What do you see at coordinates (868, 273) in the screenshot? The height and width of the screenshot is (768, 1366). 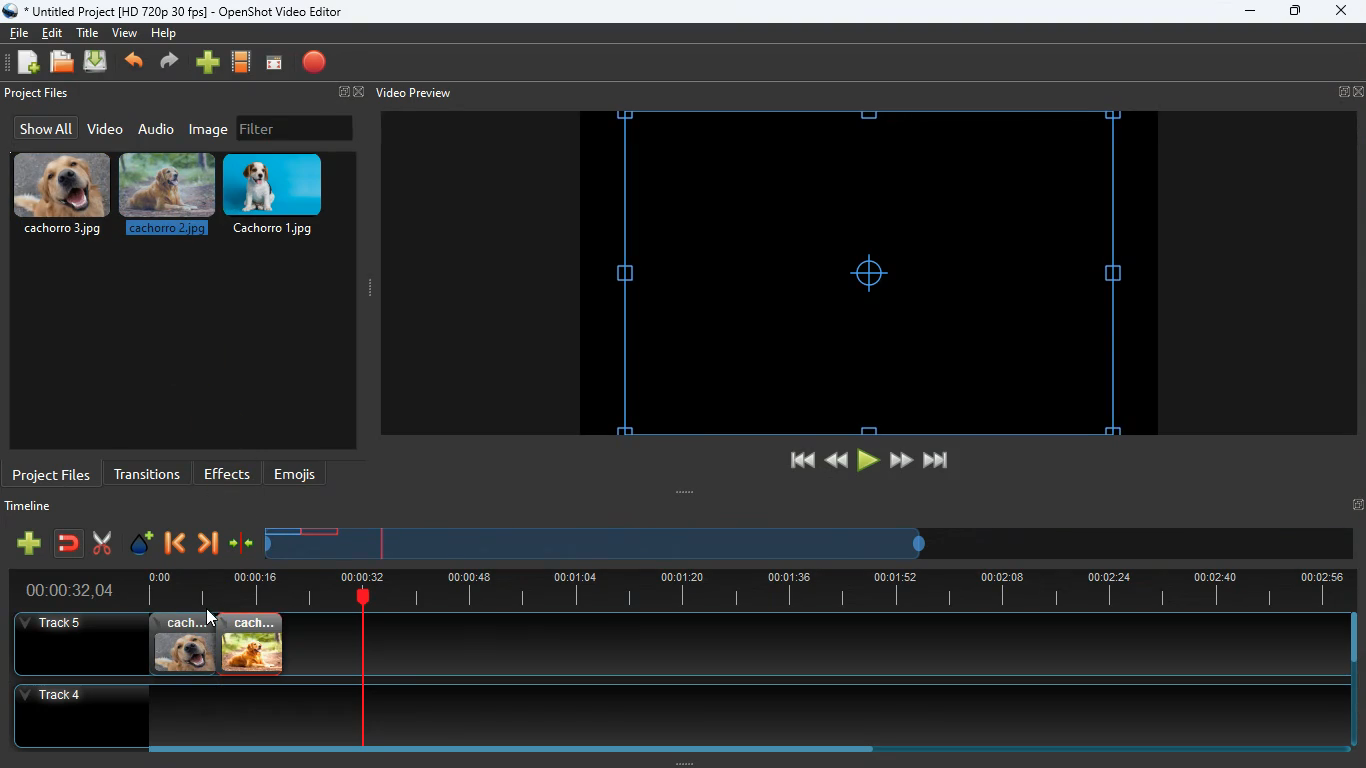 I see `screen` at bounding box center [868, 273].